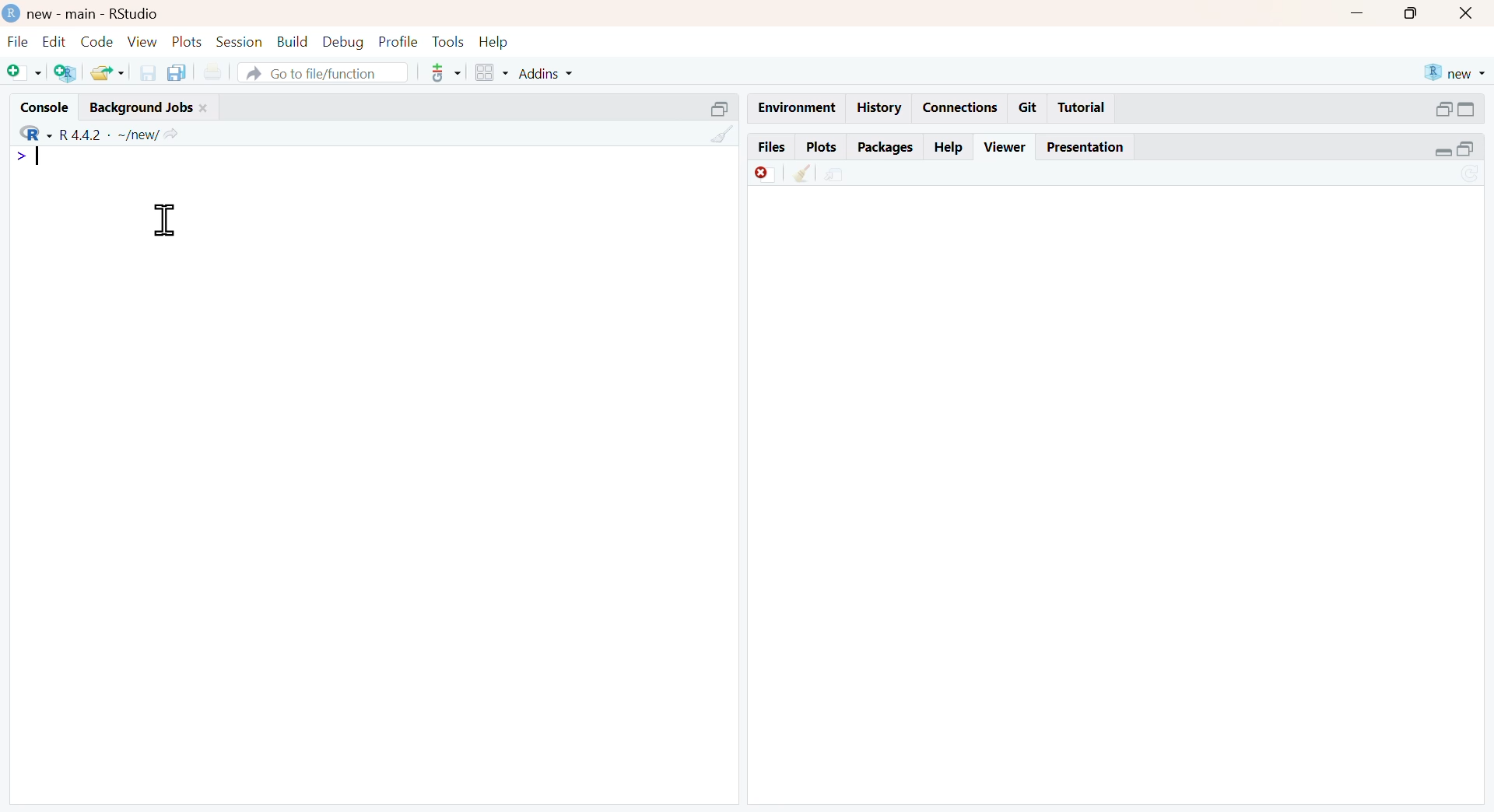  I want to click on New file, so click(23, 75).